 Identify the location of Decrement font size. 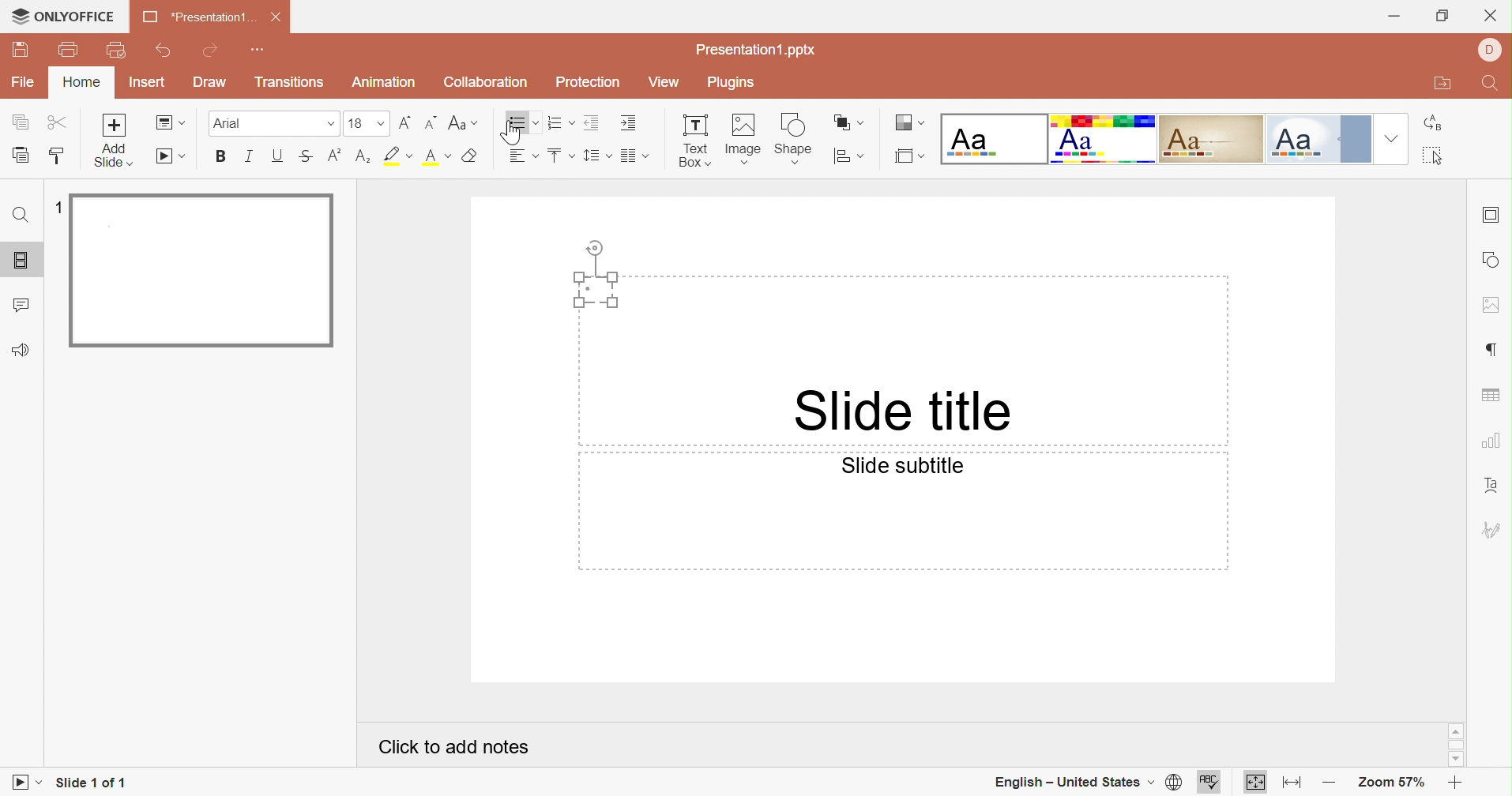
(430, 122).